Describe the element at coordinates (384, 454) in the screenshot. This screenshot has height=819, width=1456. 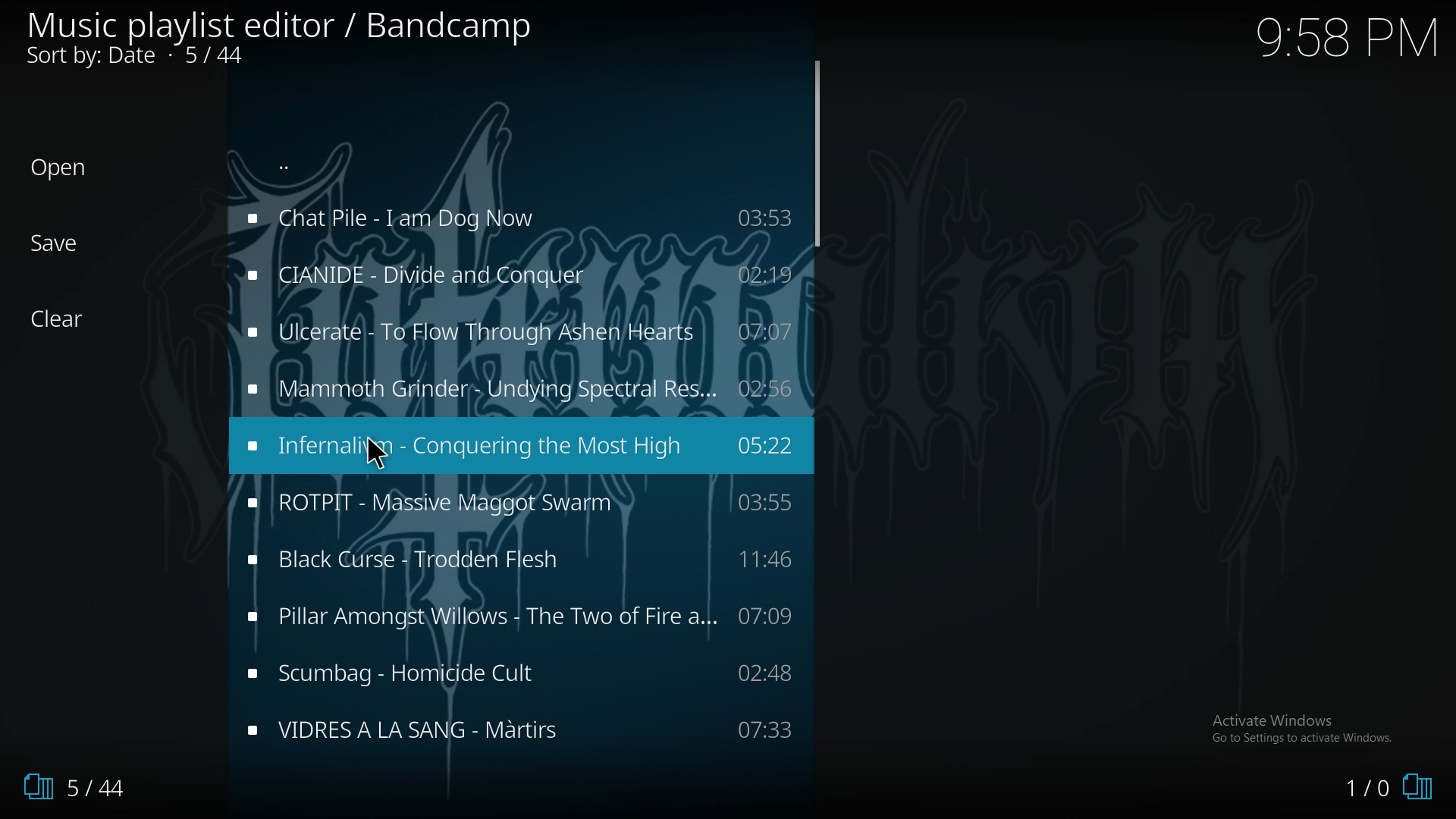
I see `Pointer Cursor` at that location.